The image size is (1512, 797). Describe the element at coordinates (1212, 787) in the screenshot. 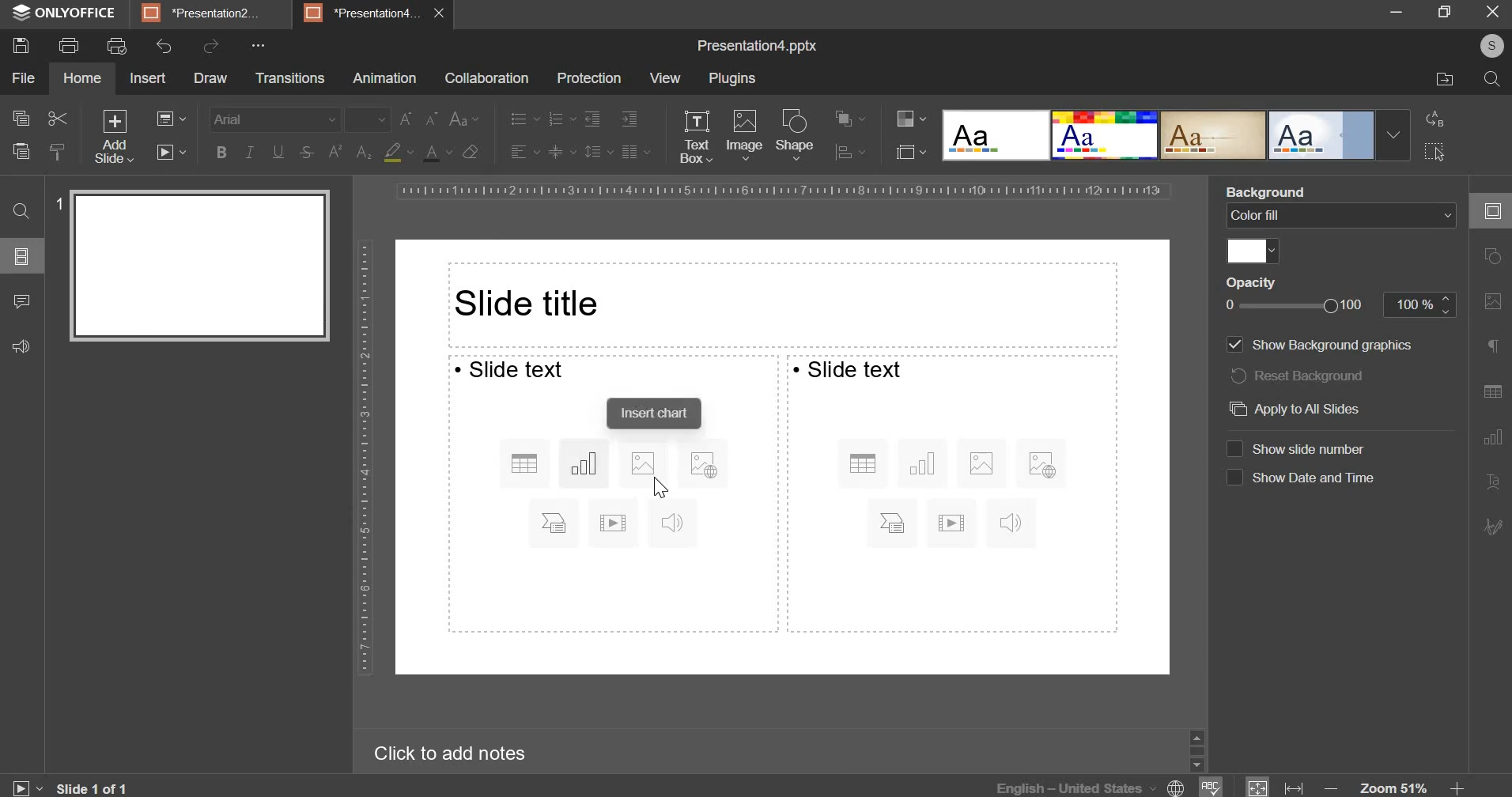

I see `spell check` at that location.